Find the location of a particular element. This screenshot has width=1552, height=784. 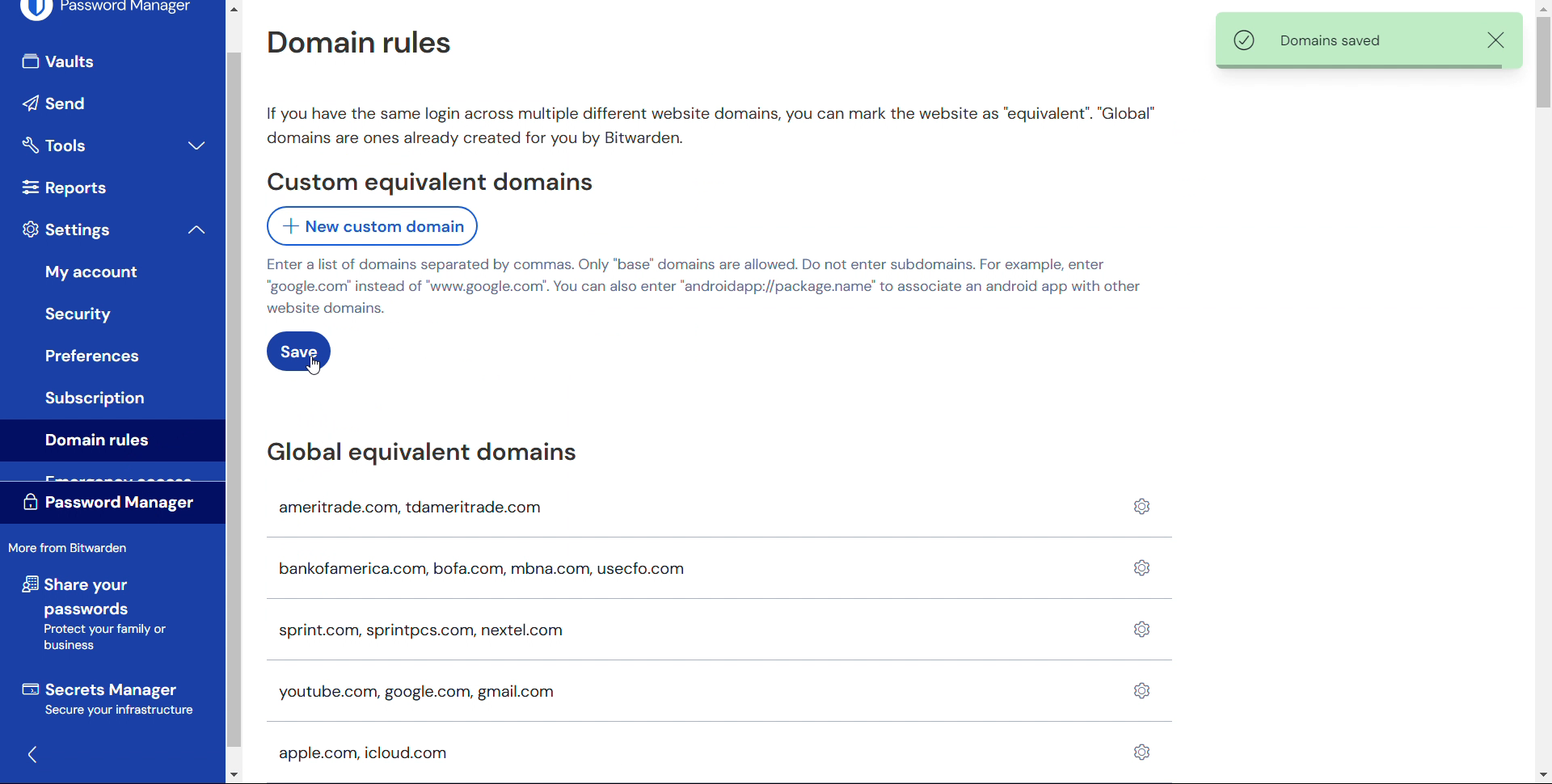

Enter a list of domains separated by commas. Only “base” domains are allowed. Do not enter subdomains. For example, enter
“google.com” instead of "www.google.com'. You can also enter “androidapp://package.name’ to associate an android app with other
website domains. is located at coordinates (703, 287).